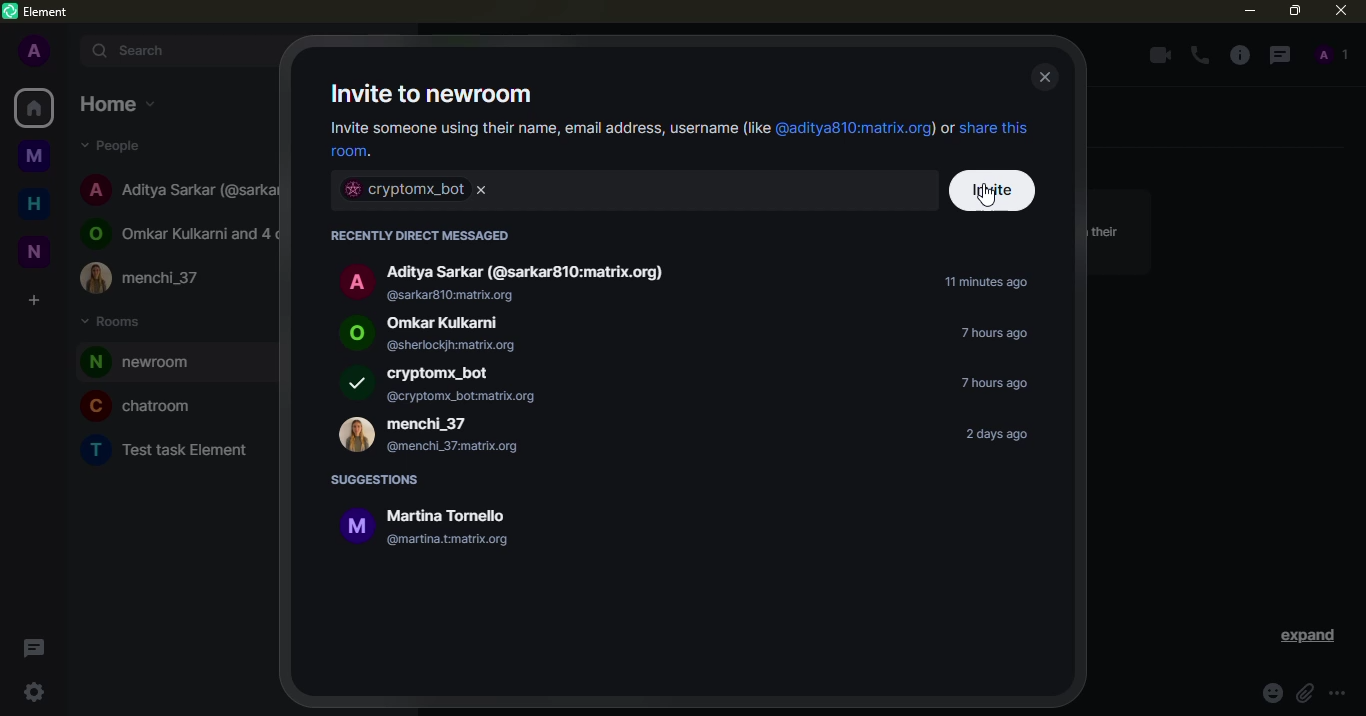 The height and width of the screenshot is (716, 1366). I want to click on search, so click(179, 51).